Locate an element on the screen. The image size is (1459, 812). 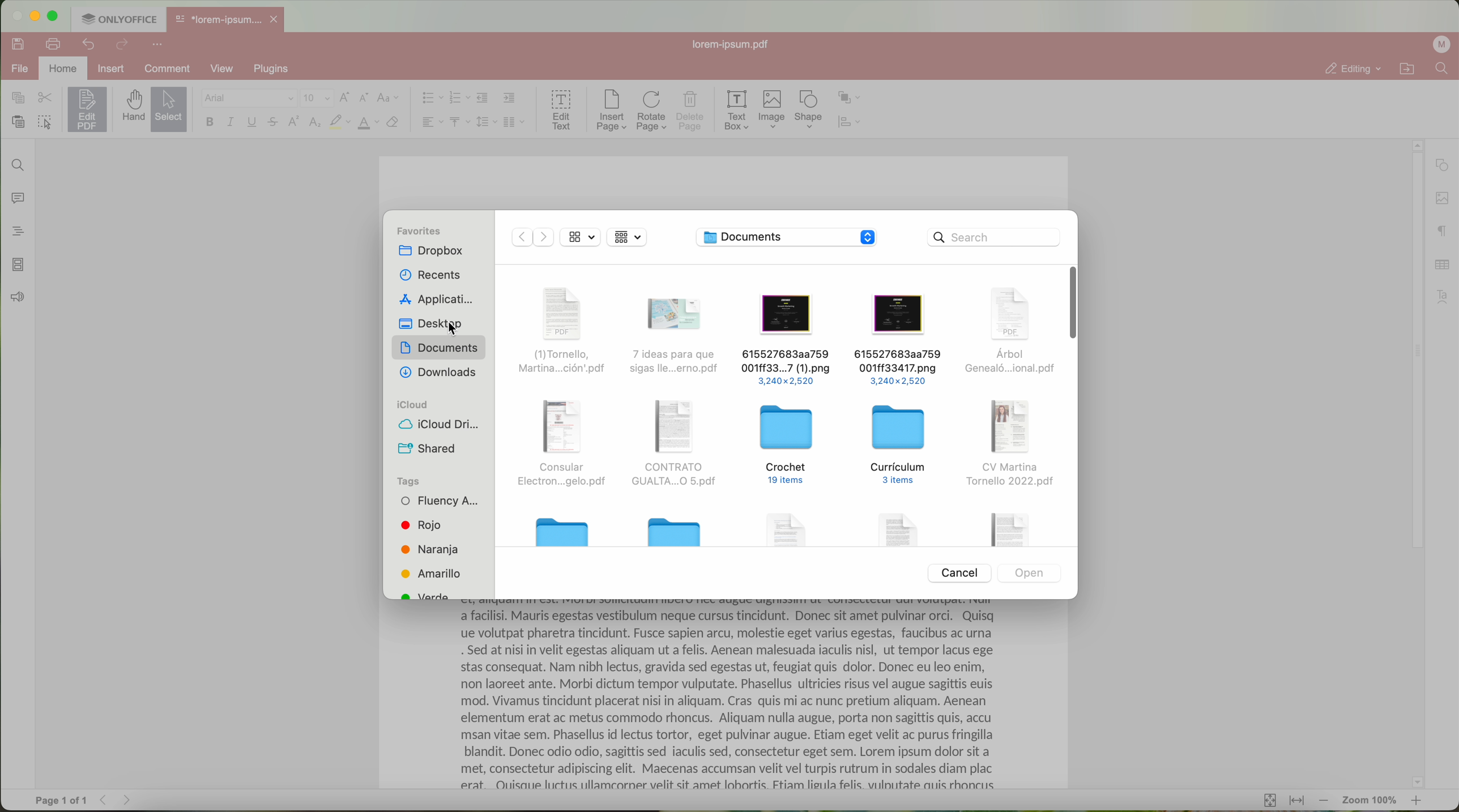
file is located at coordinates (18, 70).